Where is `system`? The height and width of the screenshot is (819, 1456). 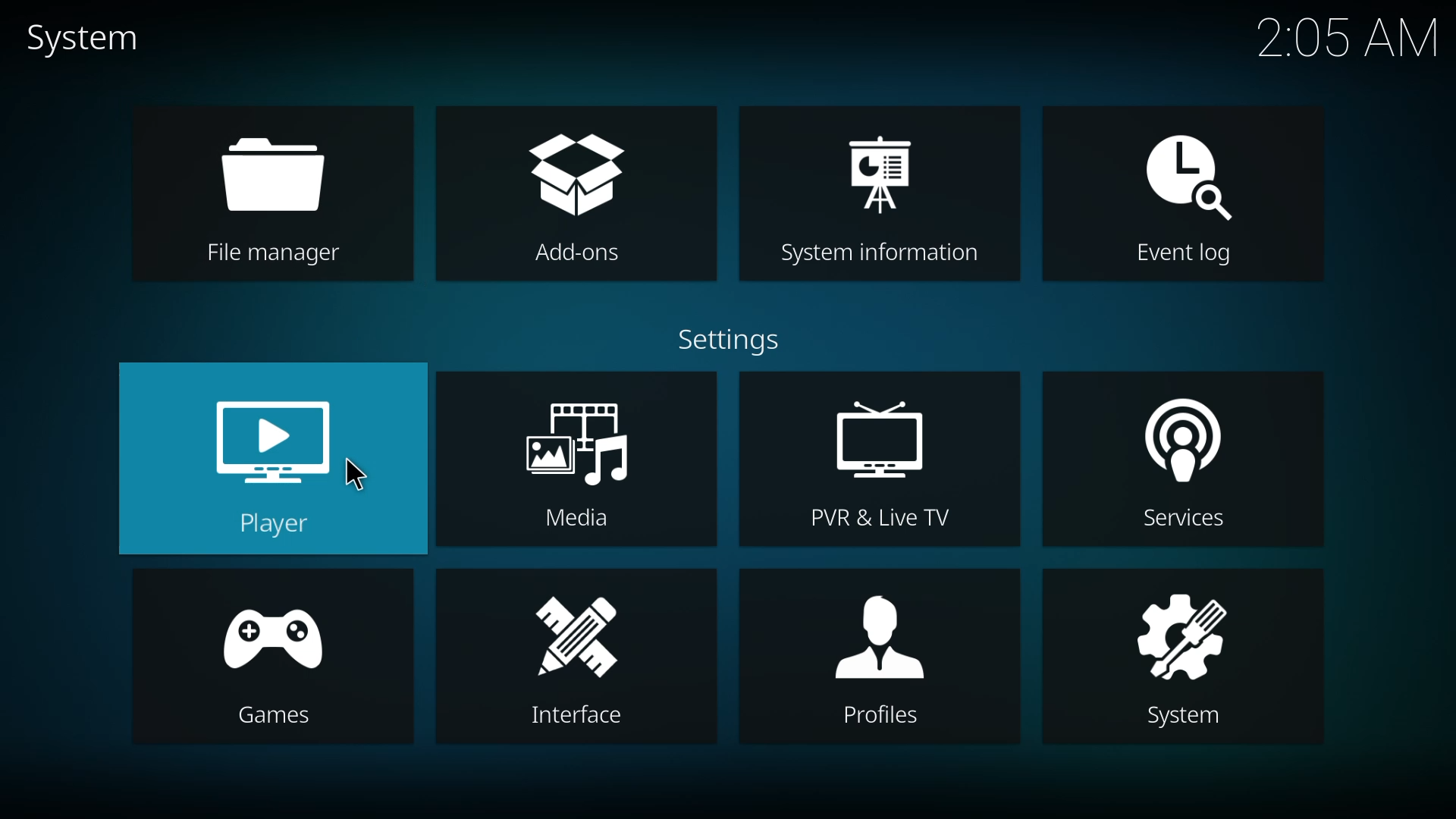
system is located at coordinates (93, 39).